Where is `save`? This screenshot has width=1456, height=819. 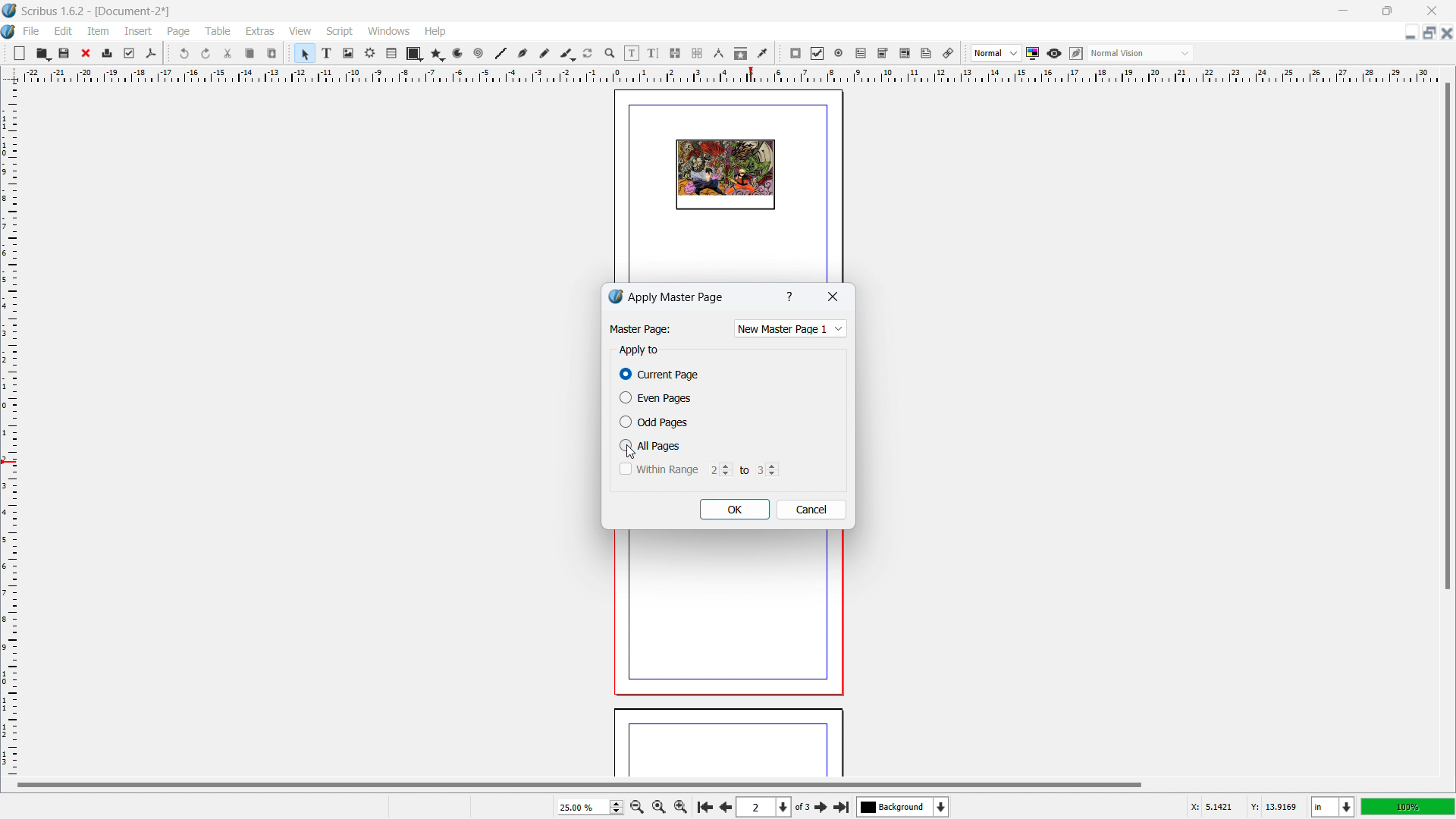
save is located at coordinates (65, 52).